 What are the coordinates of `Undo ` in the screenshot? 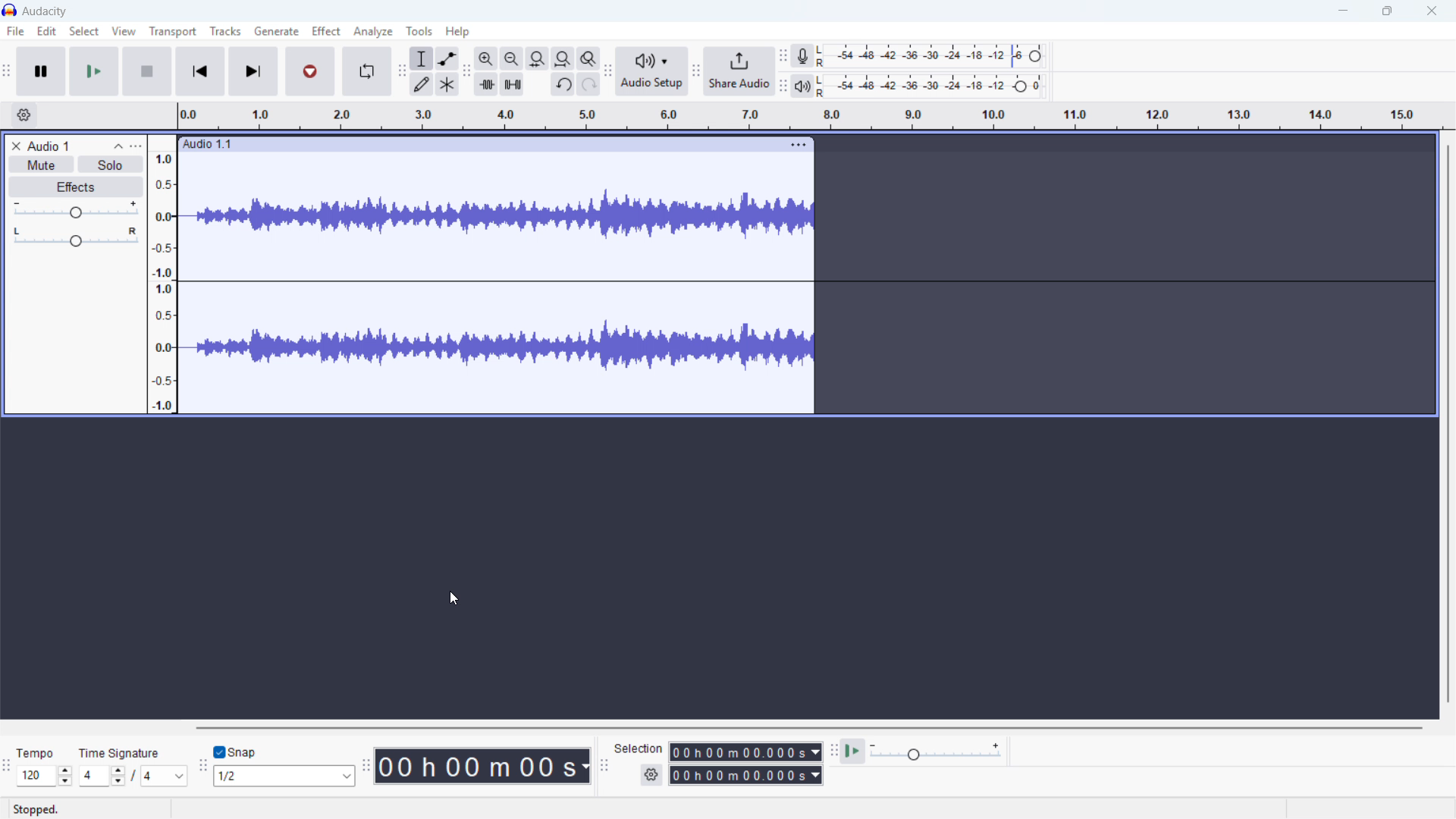 It's located at (564, 83).